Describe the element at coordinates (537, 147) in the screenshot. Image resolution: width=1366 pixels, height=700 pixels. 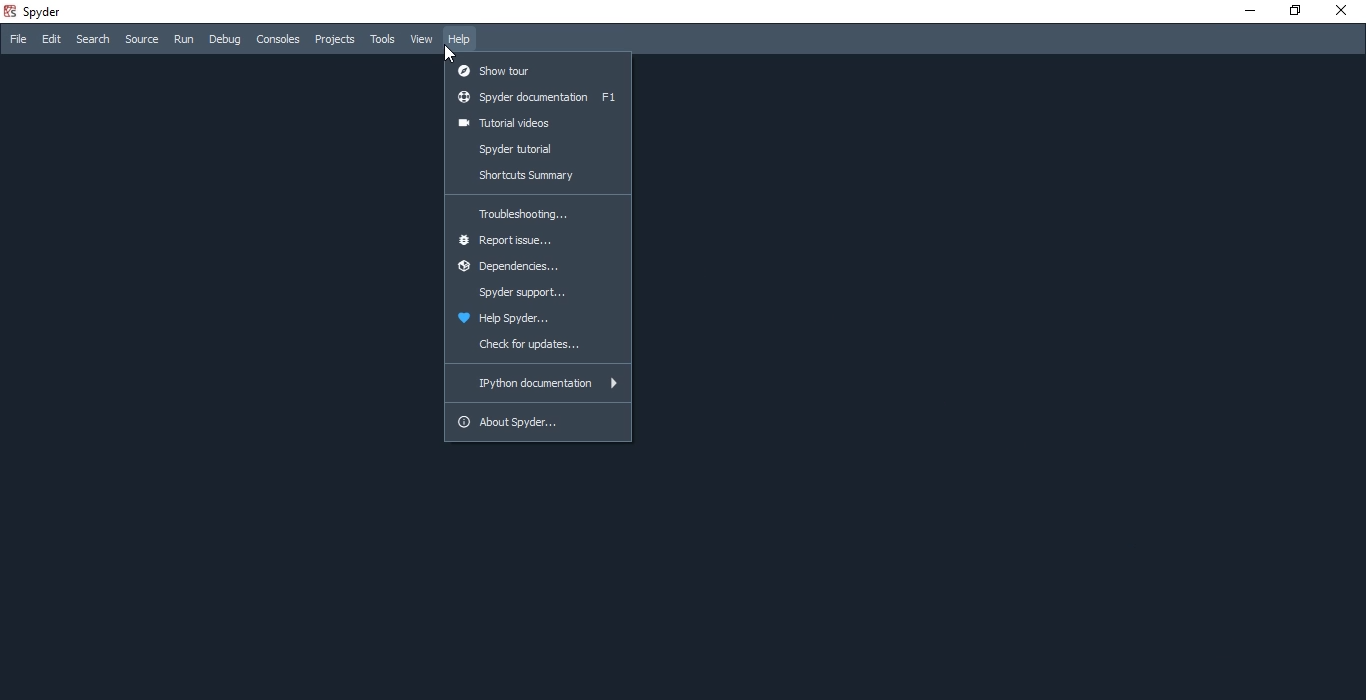
I see `spyder tutorial` at that location.